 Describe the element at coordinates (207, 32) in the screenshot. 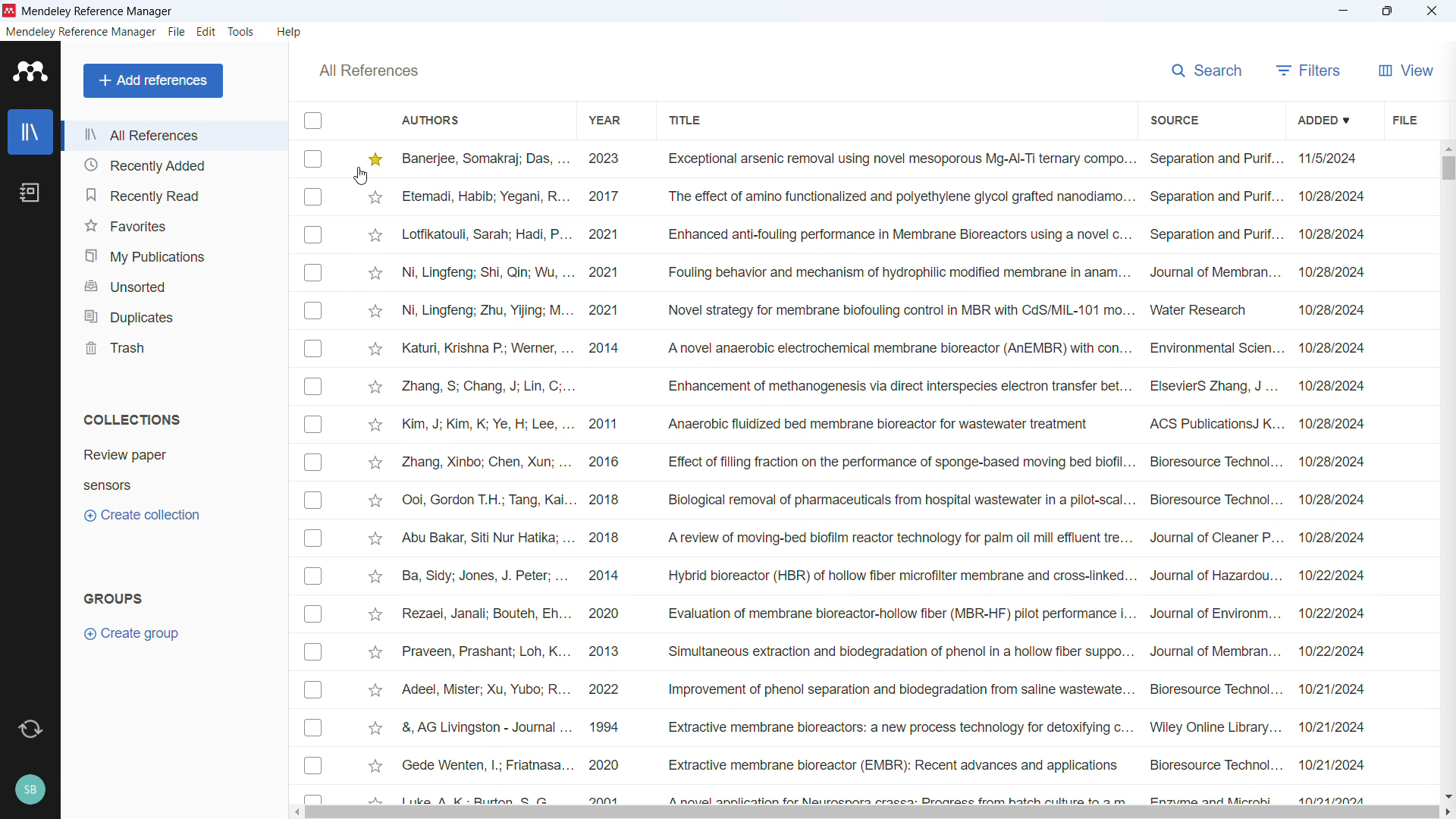

I see `edit` at that location.